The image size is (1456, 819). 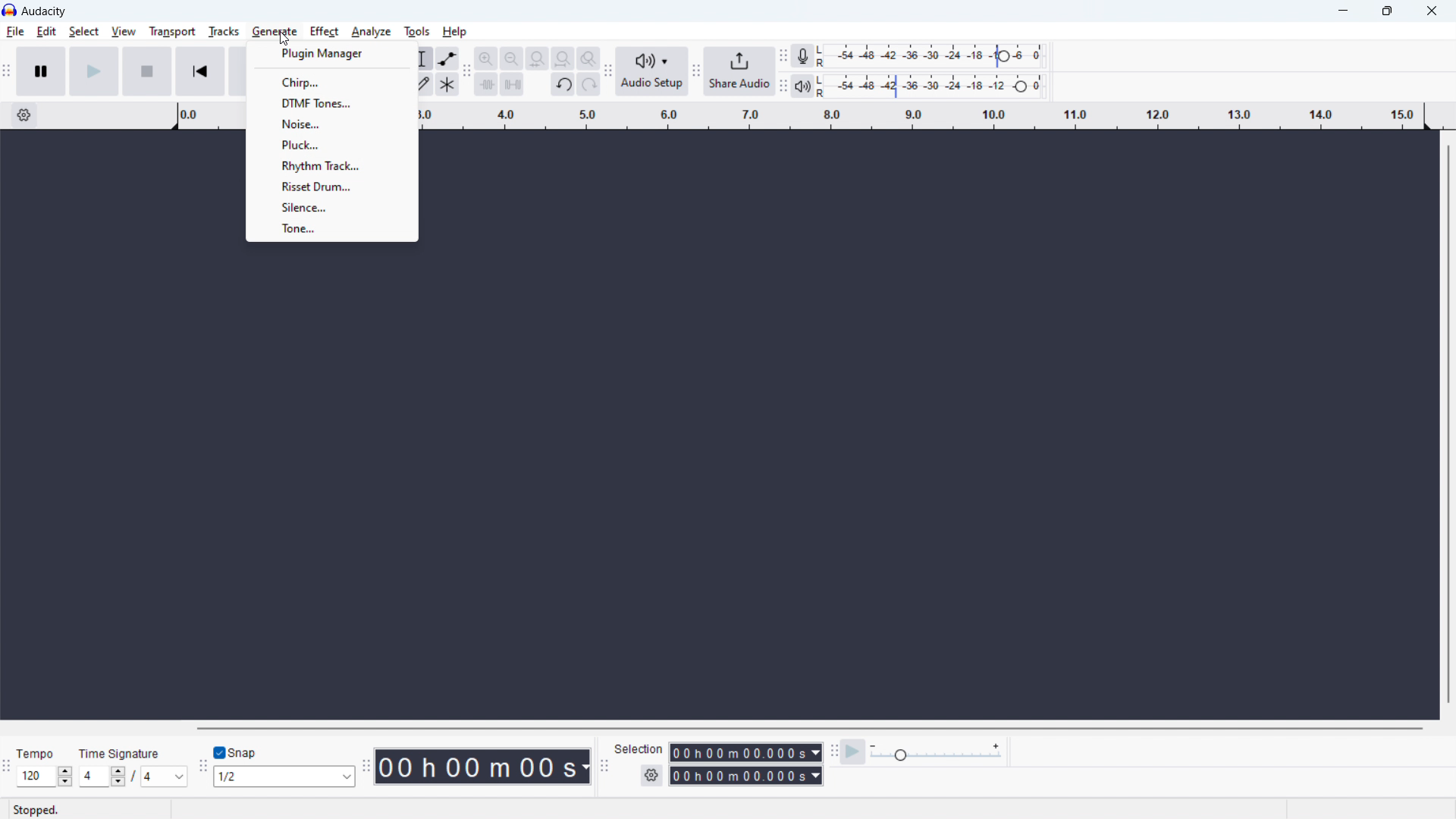 What do you see at coordinates (486, 83) in the screenshot?
I see `trim audio outside selection` at bounding box center [486, 83].